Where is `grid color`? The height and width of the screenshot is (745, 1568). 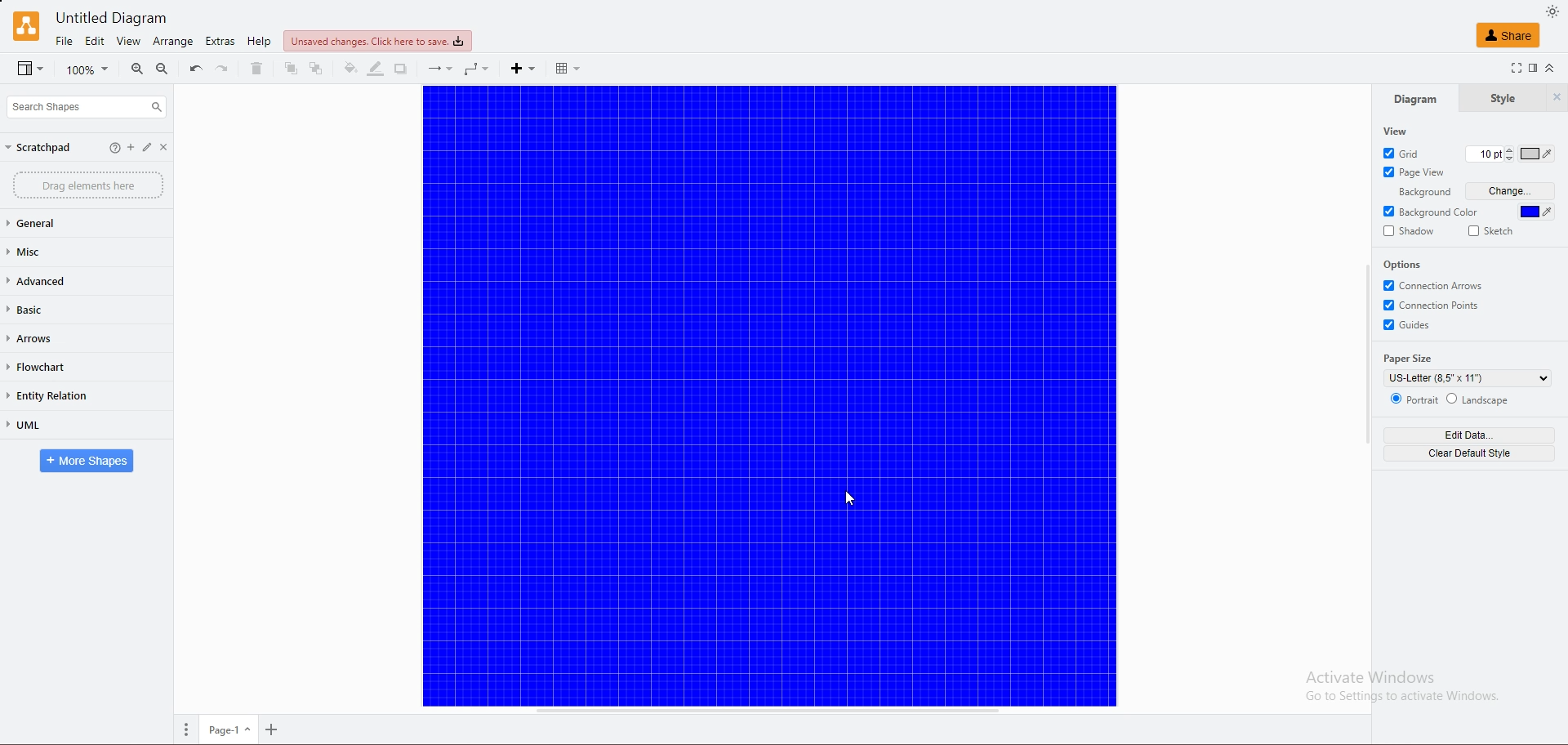
grid color is located at coordinates (1538, 154).